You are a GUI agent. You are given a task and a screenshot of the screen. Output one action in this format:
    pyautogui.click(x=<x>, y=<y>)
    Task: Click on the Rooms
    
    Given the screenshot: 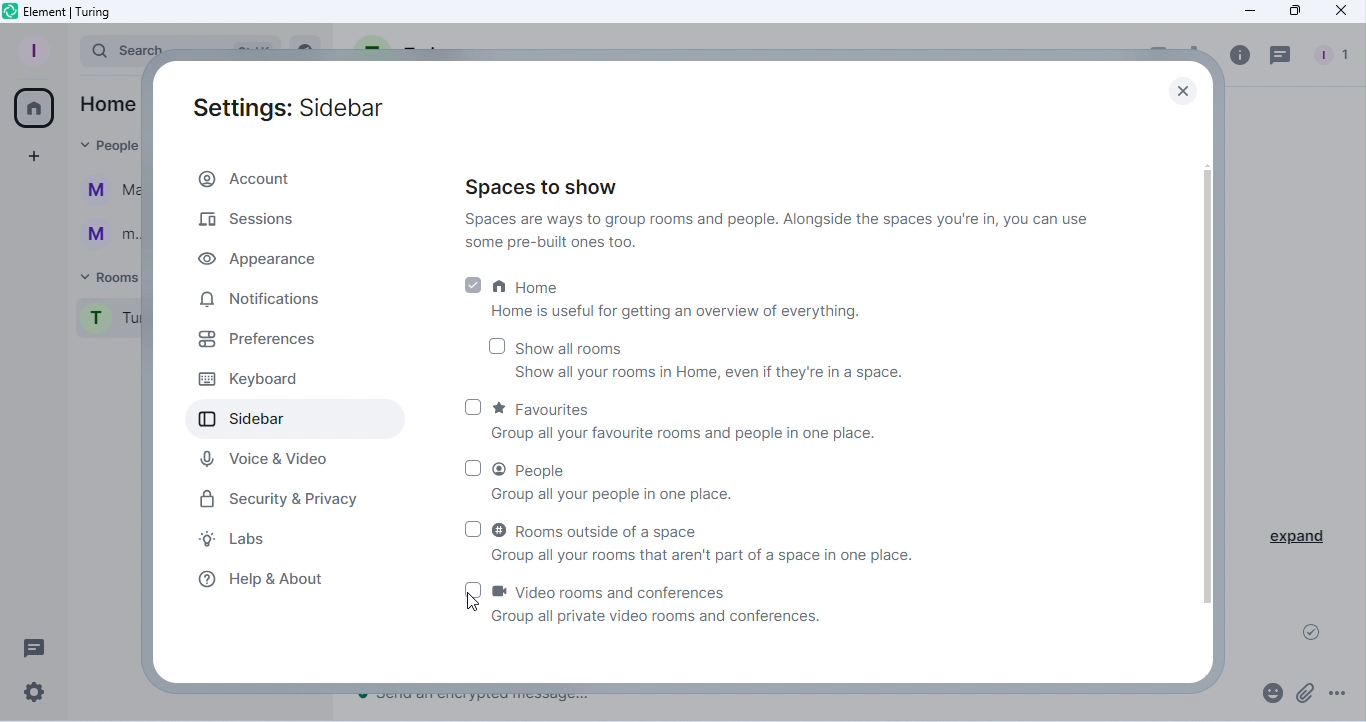 What is the action you would take?
    pyautogui.click(x=106, y=277)
    